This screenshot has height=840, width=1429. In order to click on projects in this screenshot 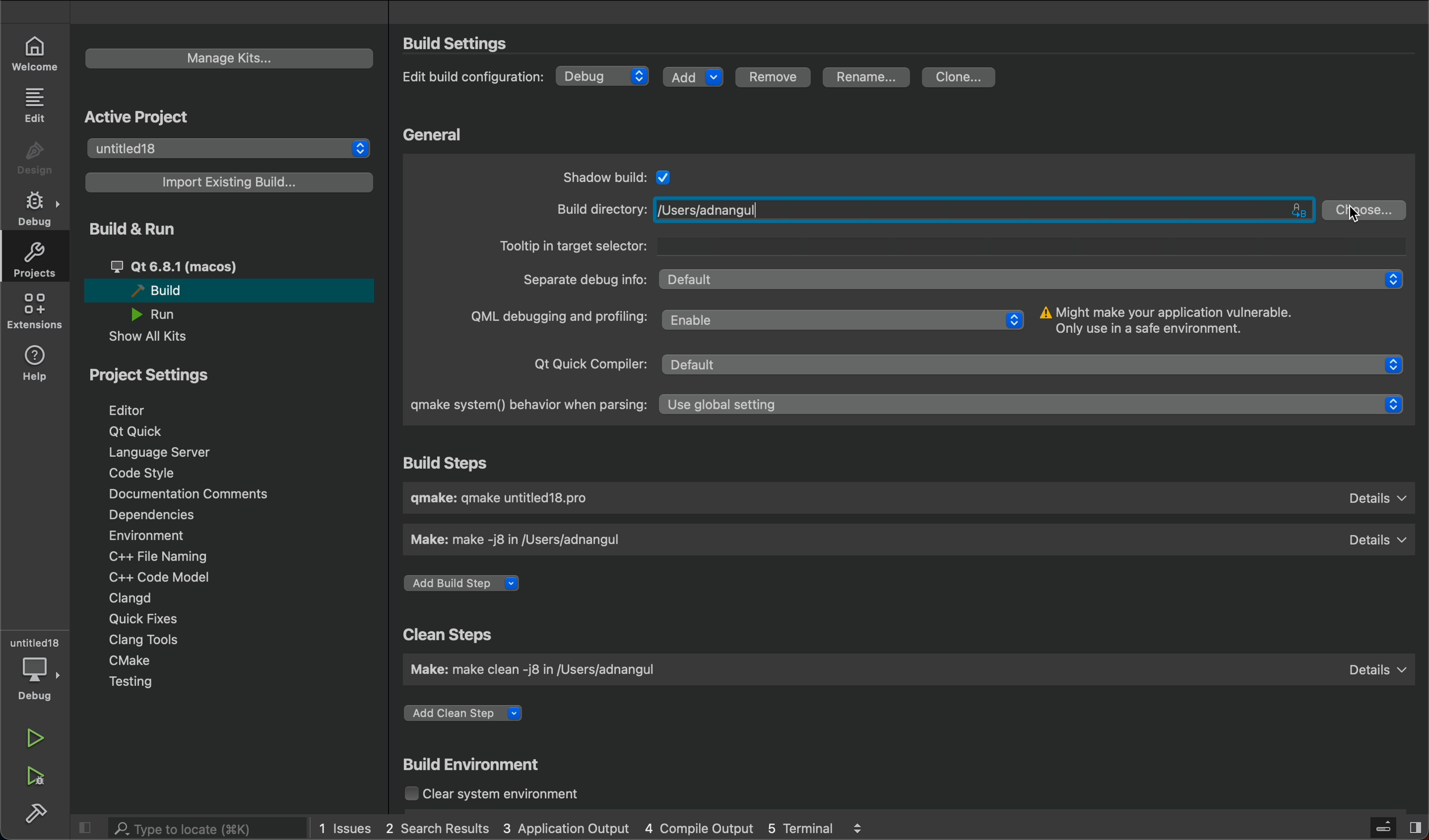, I will do `click(34, 263)`.